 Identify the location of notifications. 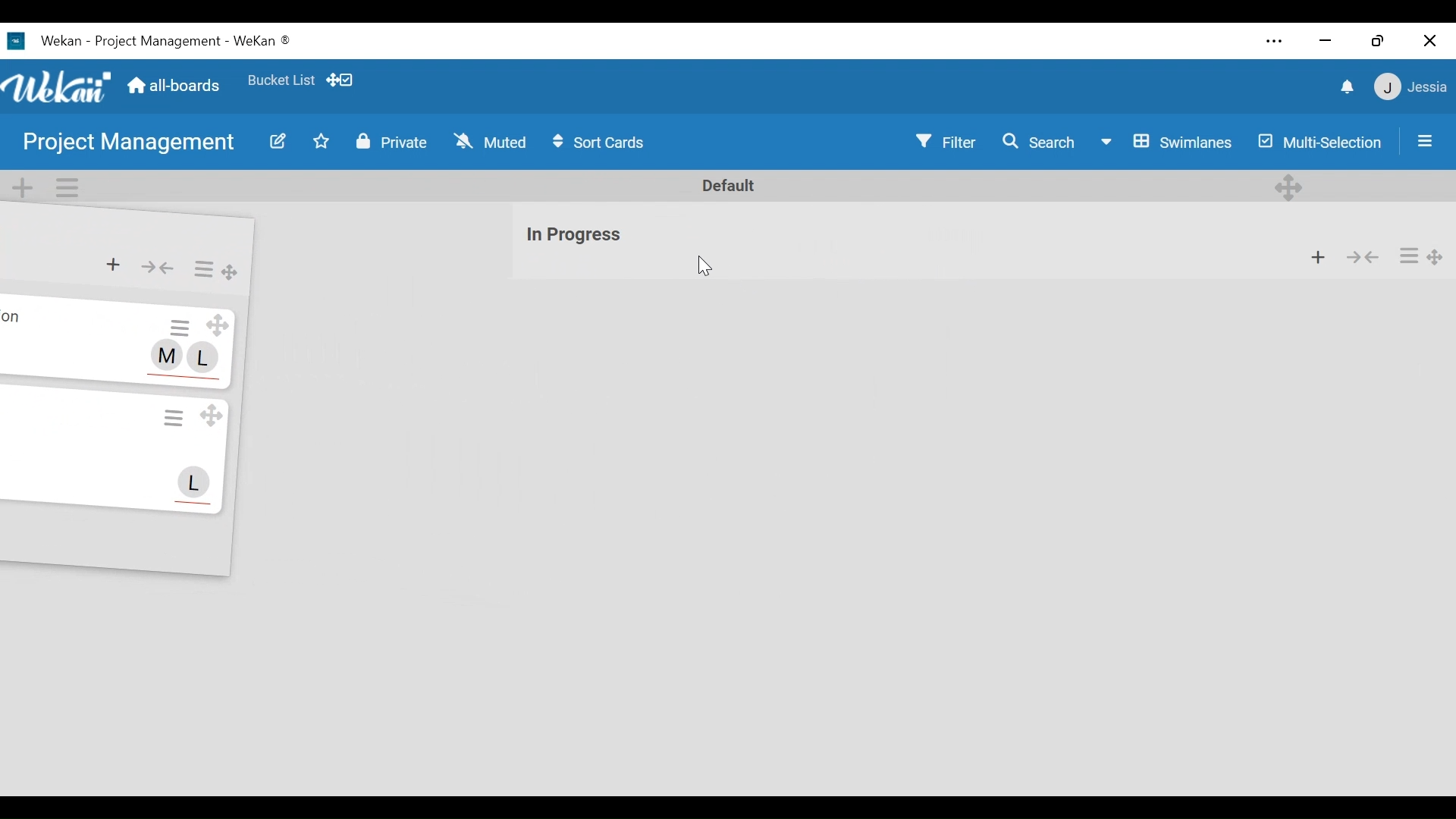
(1346, 87).